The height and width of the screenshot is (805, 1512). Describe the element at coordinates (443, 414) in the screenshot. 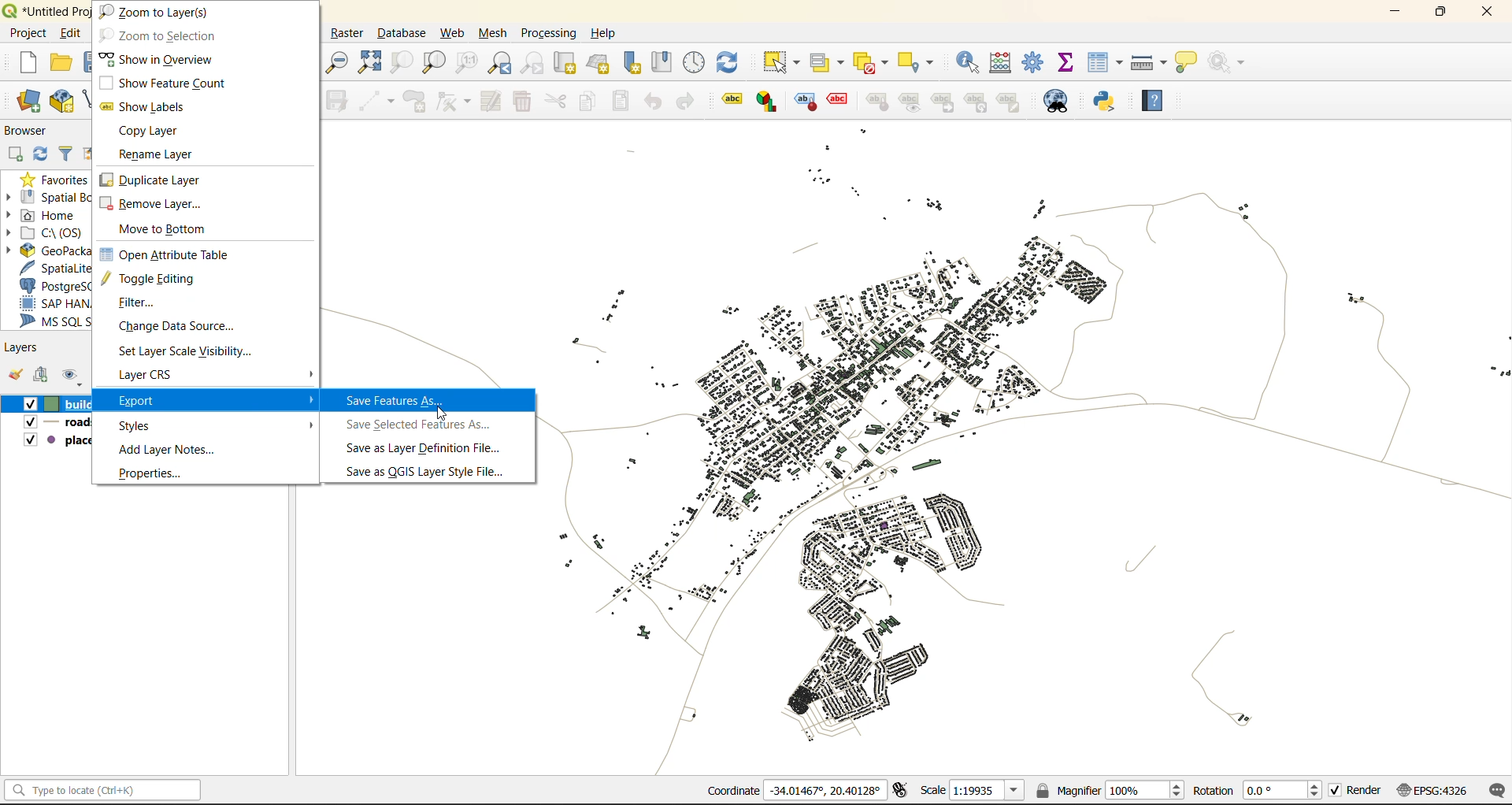

I see `cursor` at that location.